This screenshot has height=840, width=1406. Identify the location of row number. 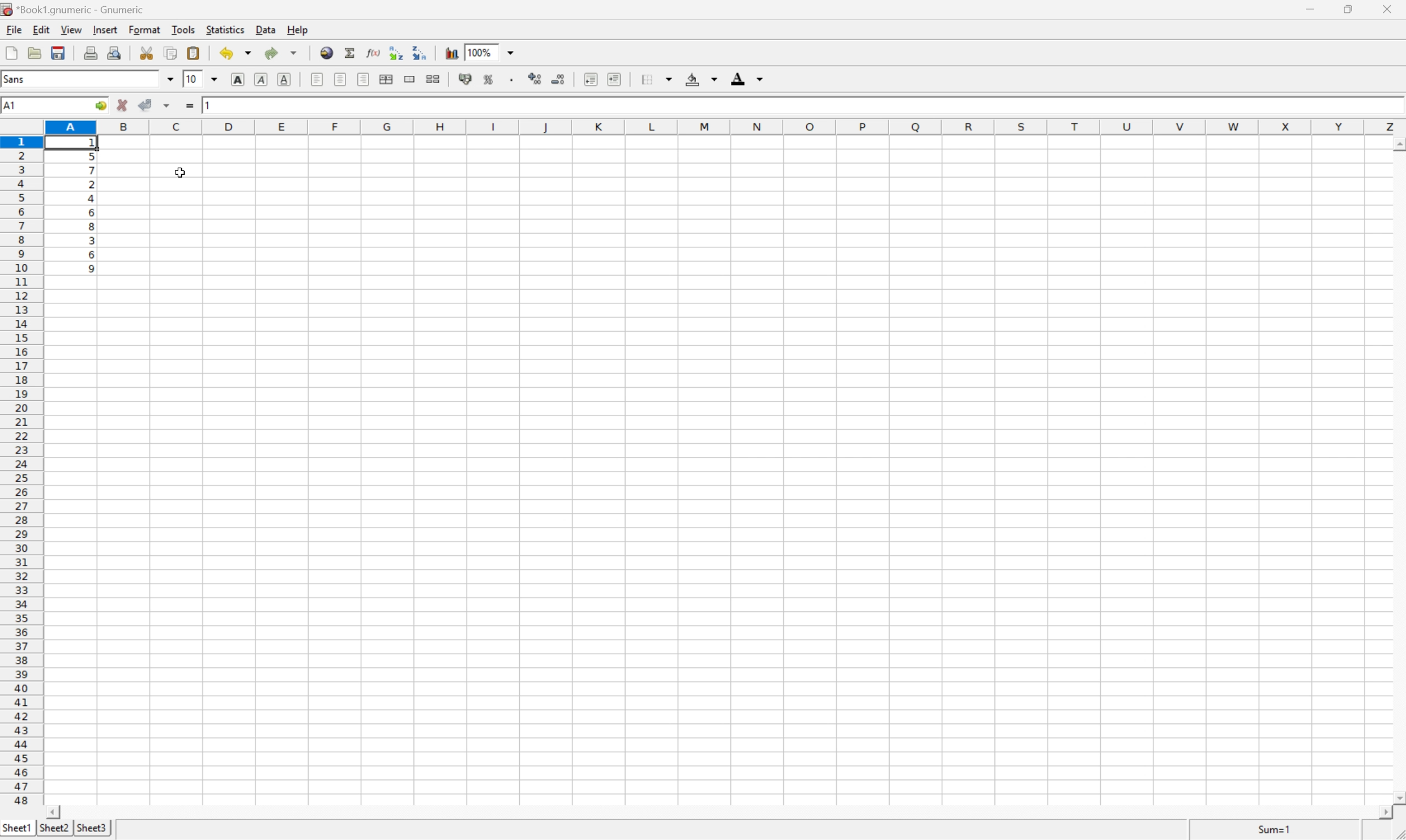
(20, 471).